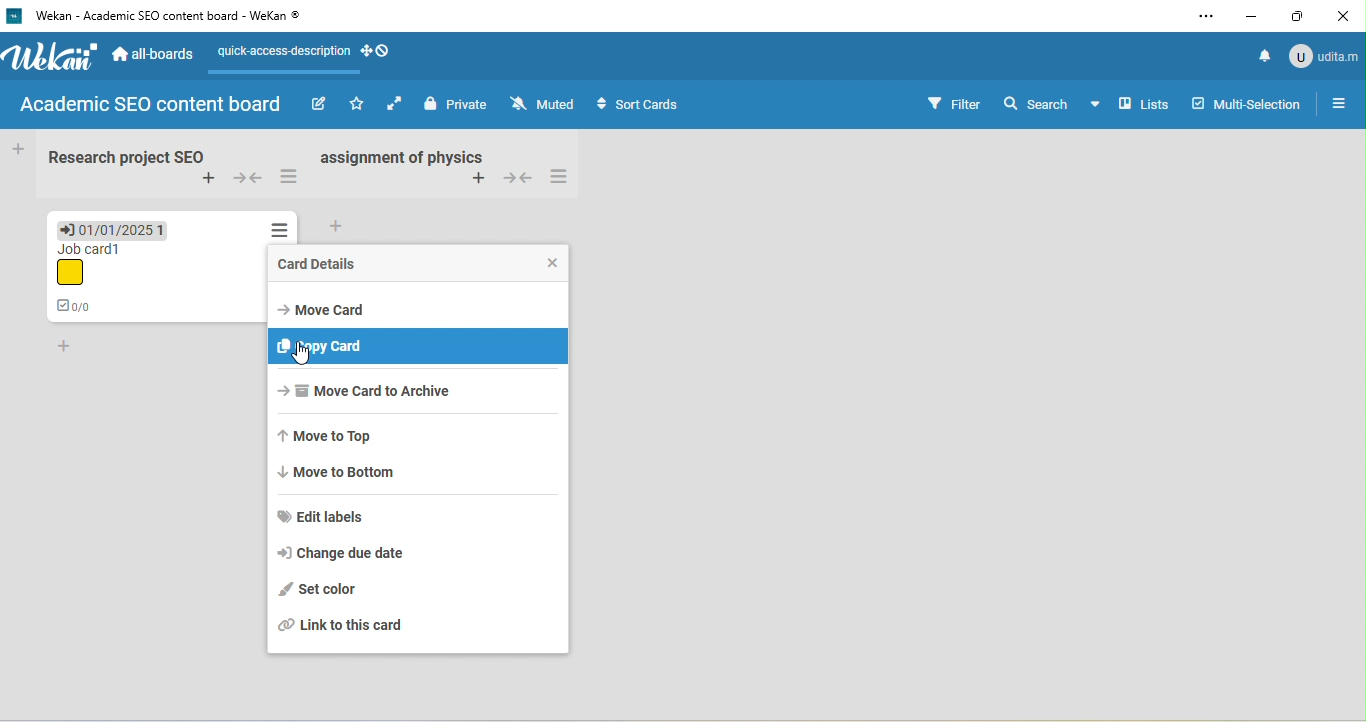 Image resolution: width=1366 pixels, height=722 pixels. Describe the element at coordinates (416, 345) in the screenshot. I see `copy card` at that location.